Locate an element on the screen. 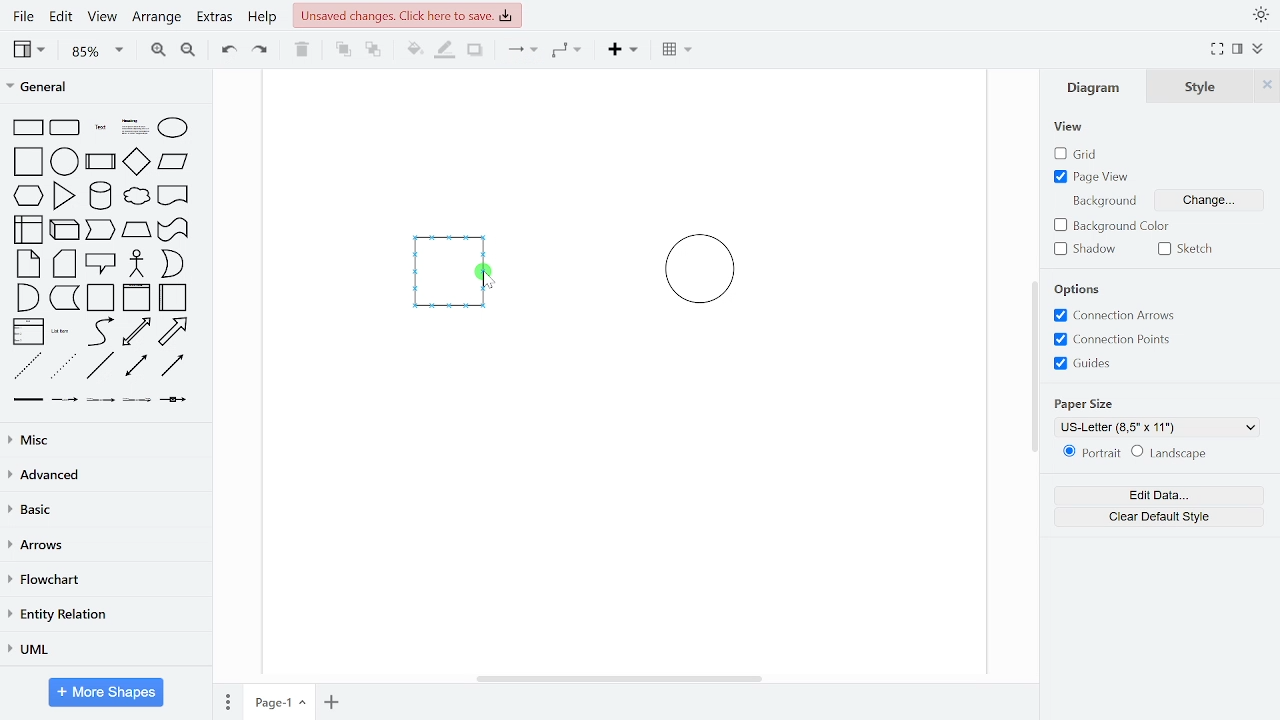 Image resolution: width=1280 pixels, height=720 pixels. Cursor is located at coordinates (485, 282).